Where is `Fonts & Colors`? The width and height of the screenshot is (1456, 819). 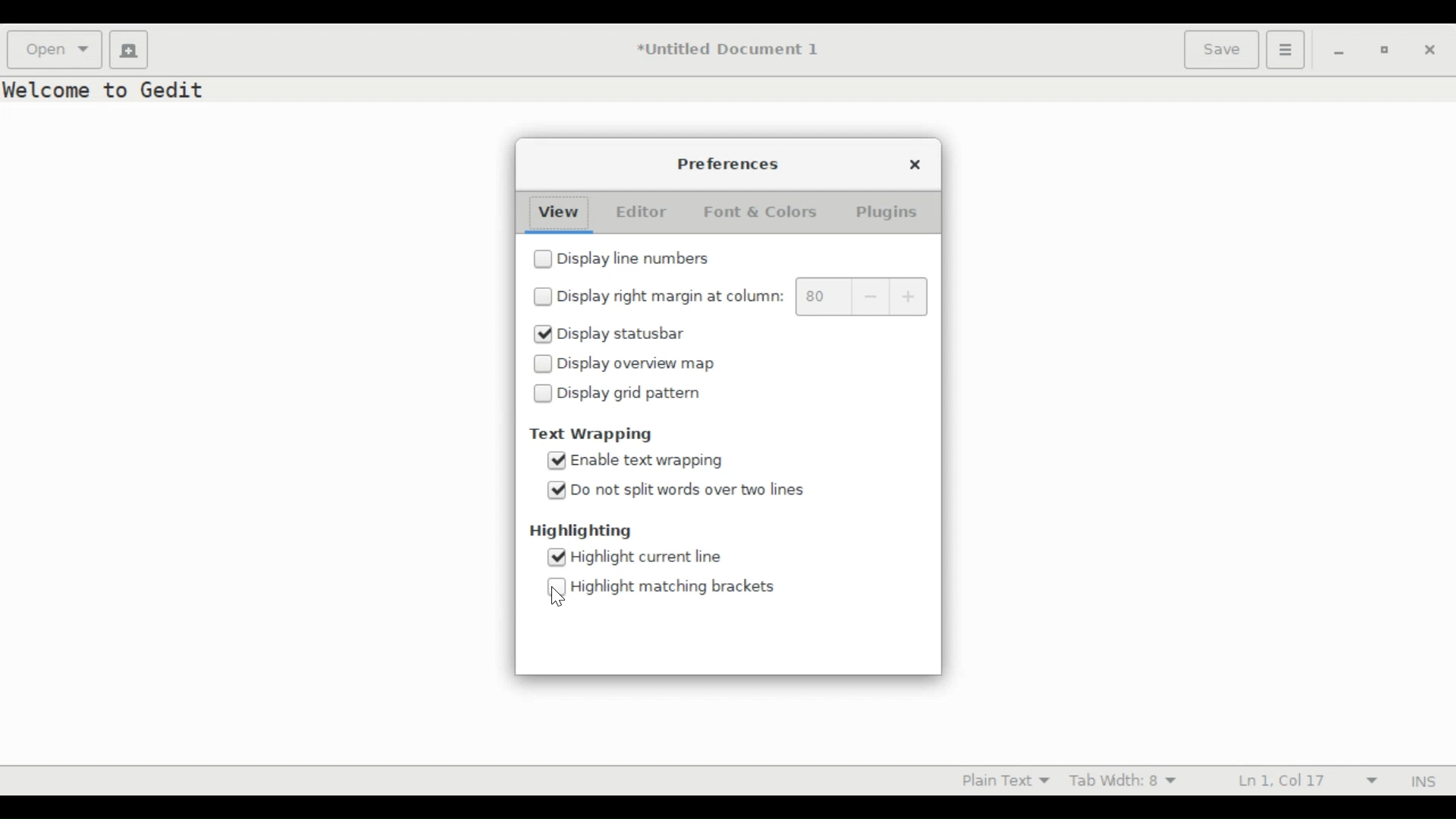 Fonts & Colors is located at coordinates (770, 211).